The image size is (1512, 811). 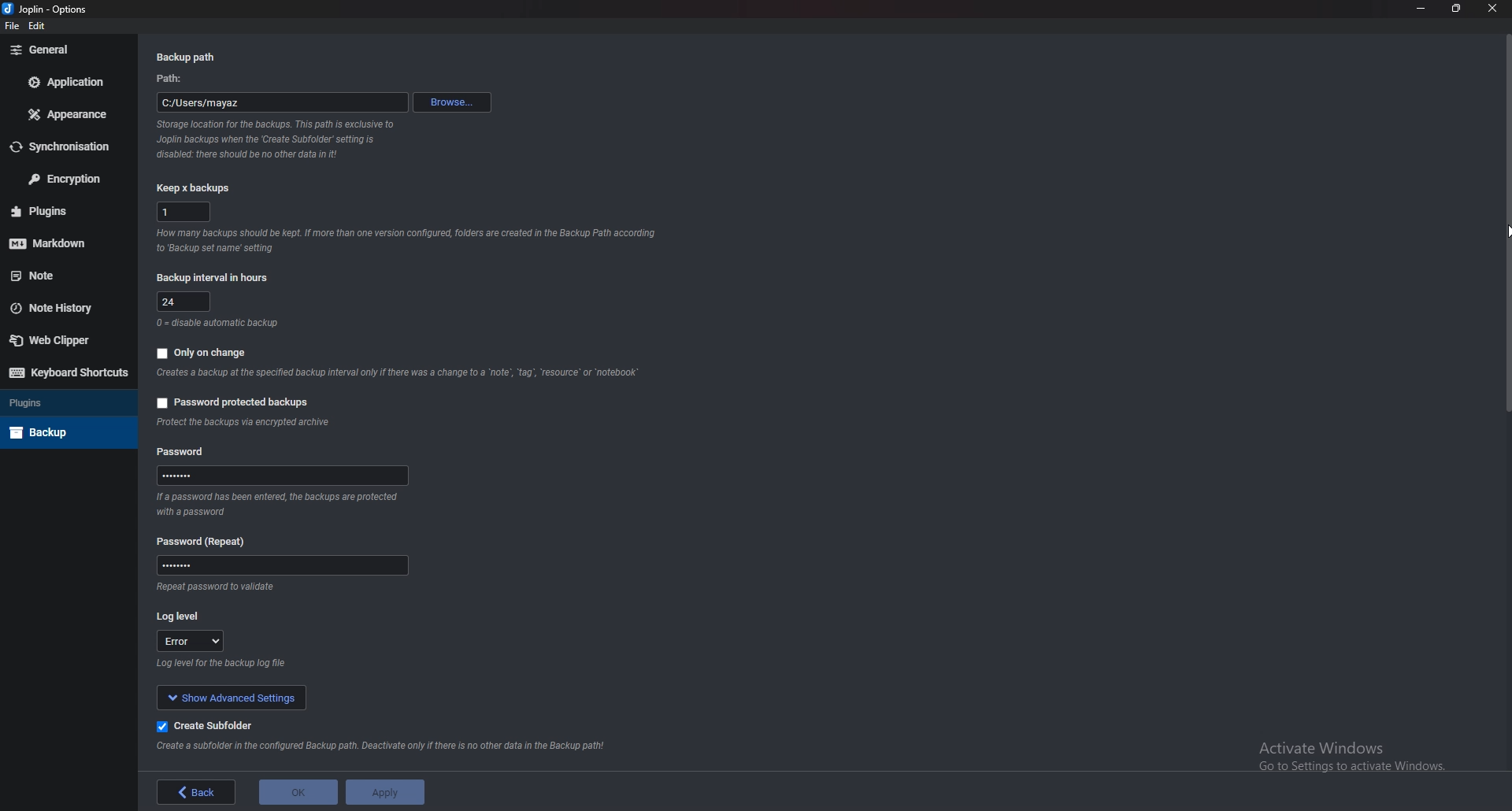 I want to click on ok, so click(x=298, y=792).